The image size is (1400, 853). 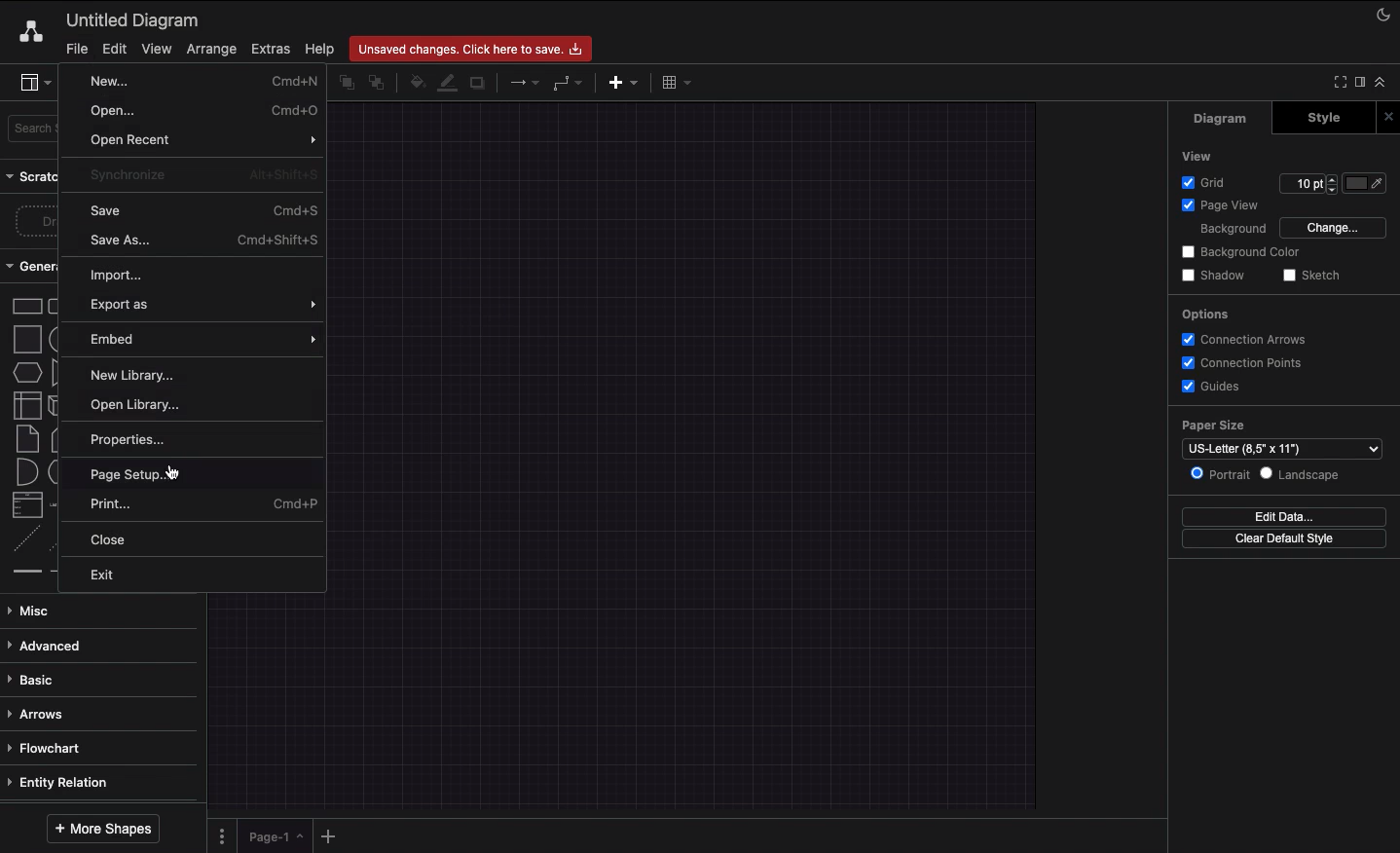 What do you see at coordinates (203, 110) in the screenshot?
I see `Open` at bounding box center [203, 110].